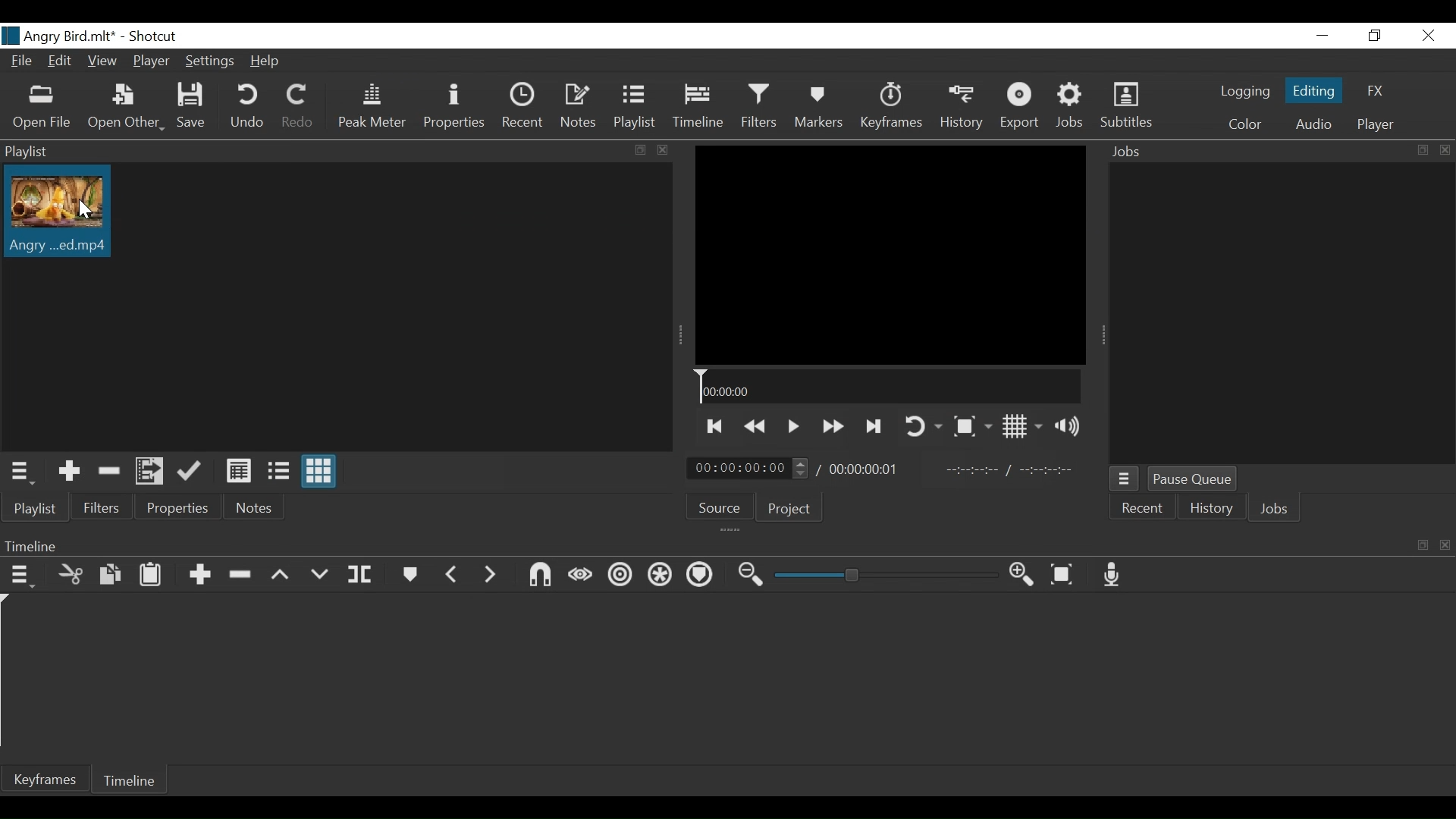 Image resolution: width=1456 pixels, height=819 pixels. What do you see at coordinates (830, 427) in the screenshot?
I see `Play quickly forward` at bounding box center [830, 427].